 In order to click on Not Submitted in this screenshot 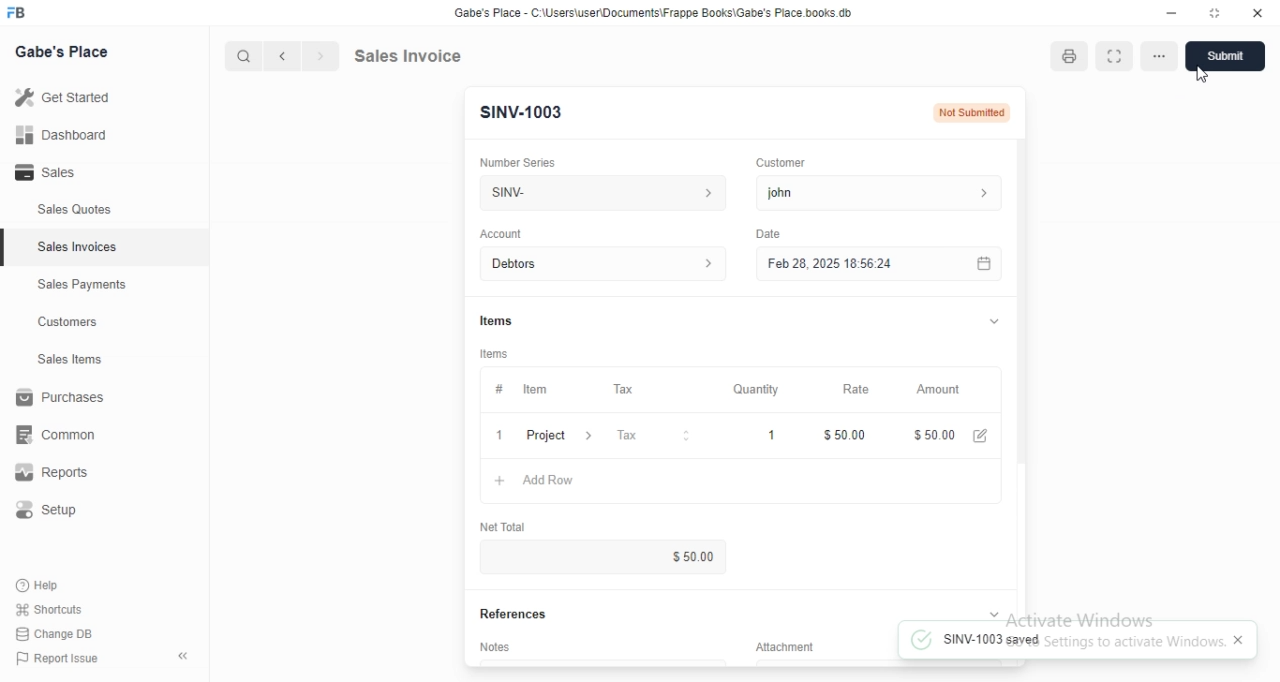, I will do `click(970, 111)`.